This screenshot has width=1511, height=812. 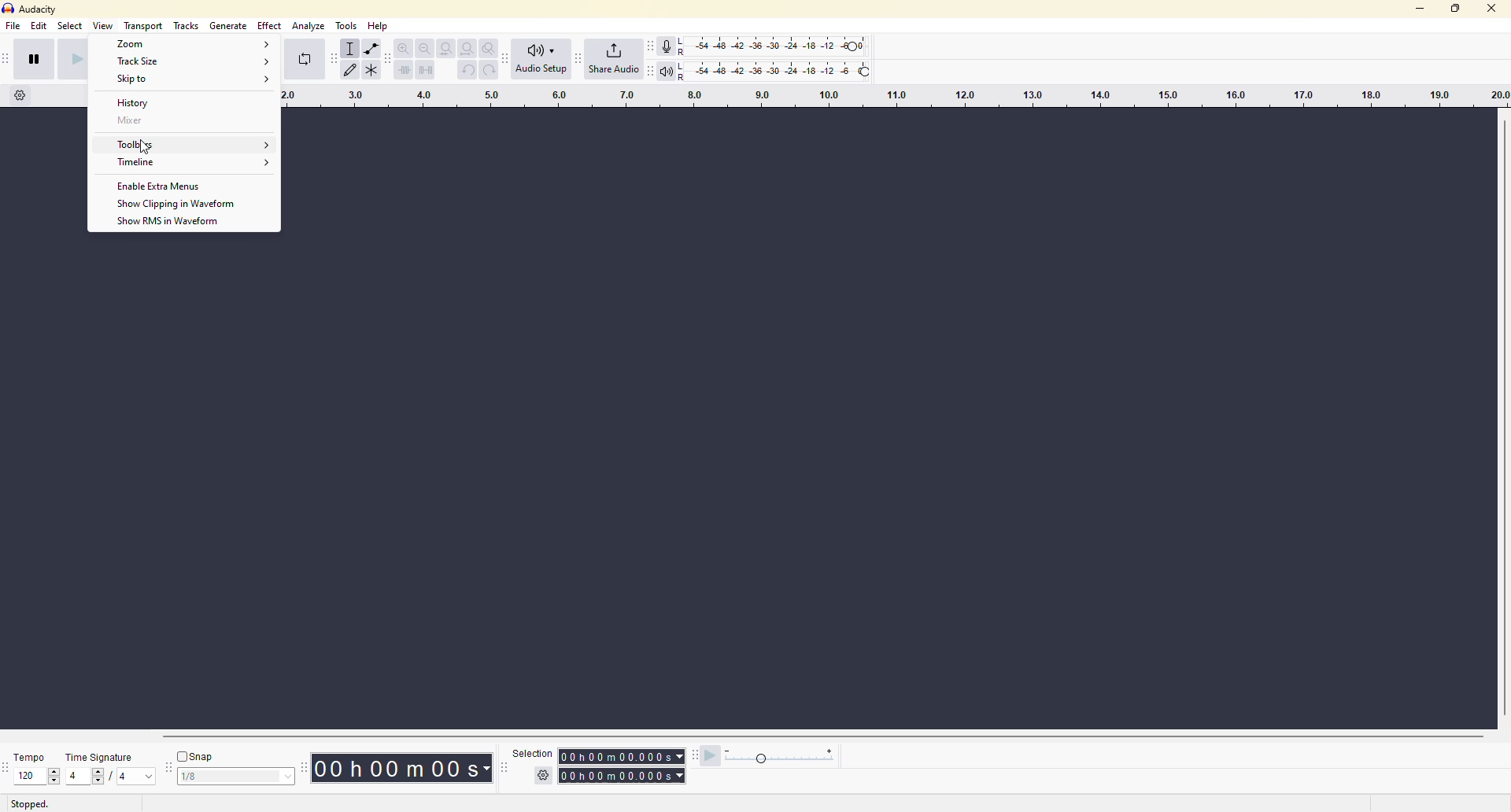 What do you see at coordinates (669, 46) in the screenshot?
I see `record meter` at bounding box center [669, 46].